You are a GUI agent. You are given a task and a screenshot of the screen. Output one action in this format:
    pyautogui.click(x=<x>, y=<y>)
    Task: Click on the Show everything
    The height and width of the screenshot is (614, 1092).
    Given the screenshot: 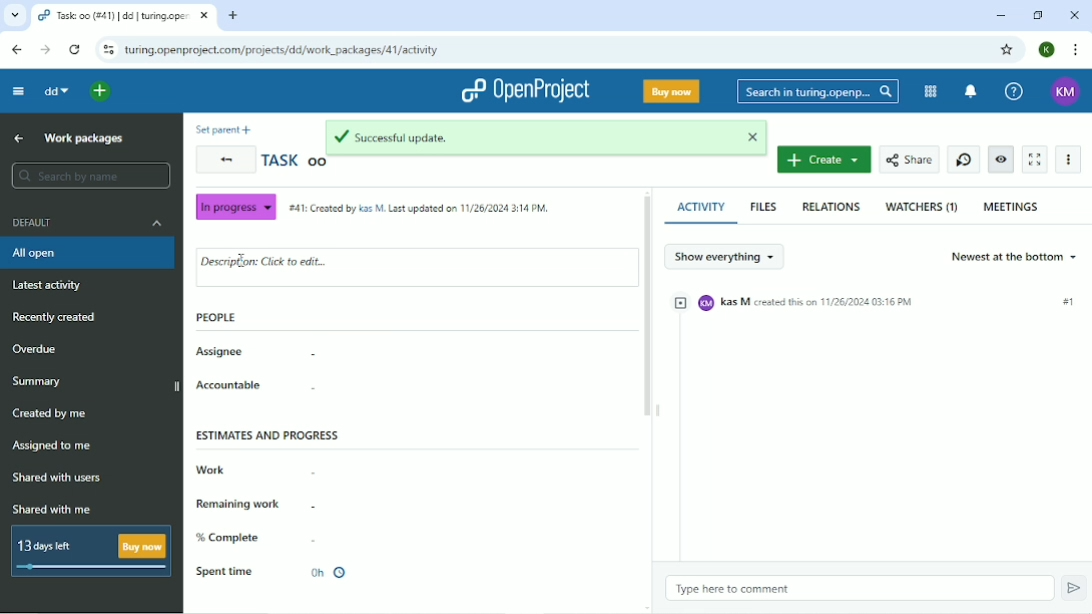 What is the action you would take?
    pyautogui.click(x=725, y=255)
    